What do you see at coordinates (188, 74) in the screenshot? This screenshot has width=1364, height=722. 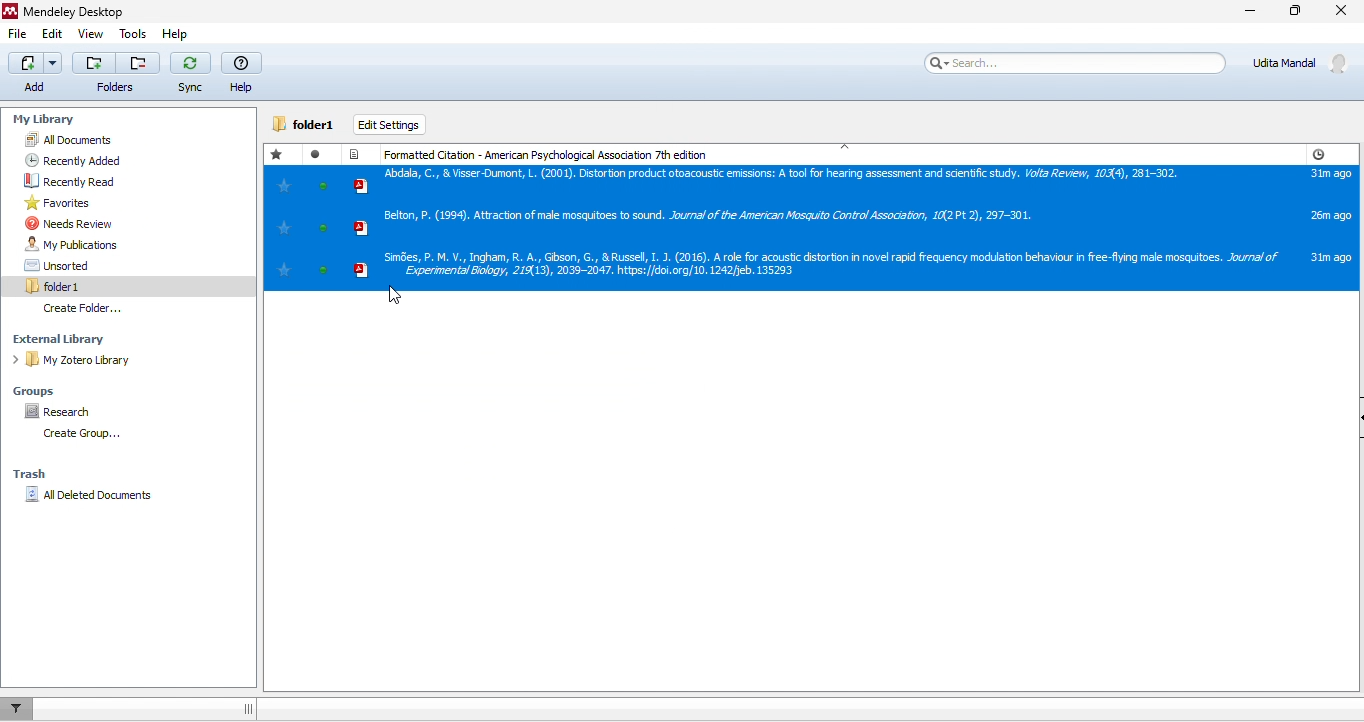 I see `sync` at bounding box center [188, 74].